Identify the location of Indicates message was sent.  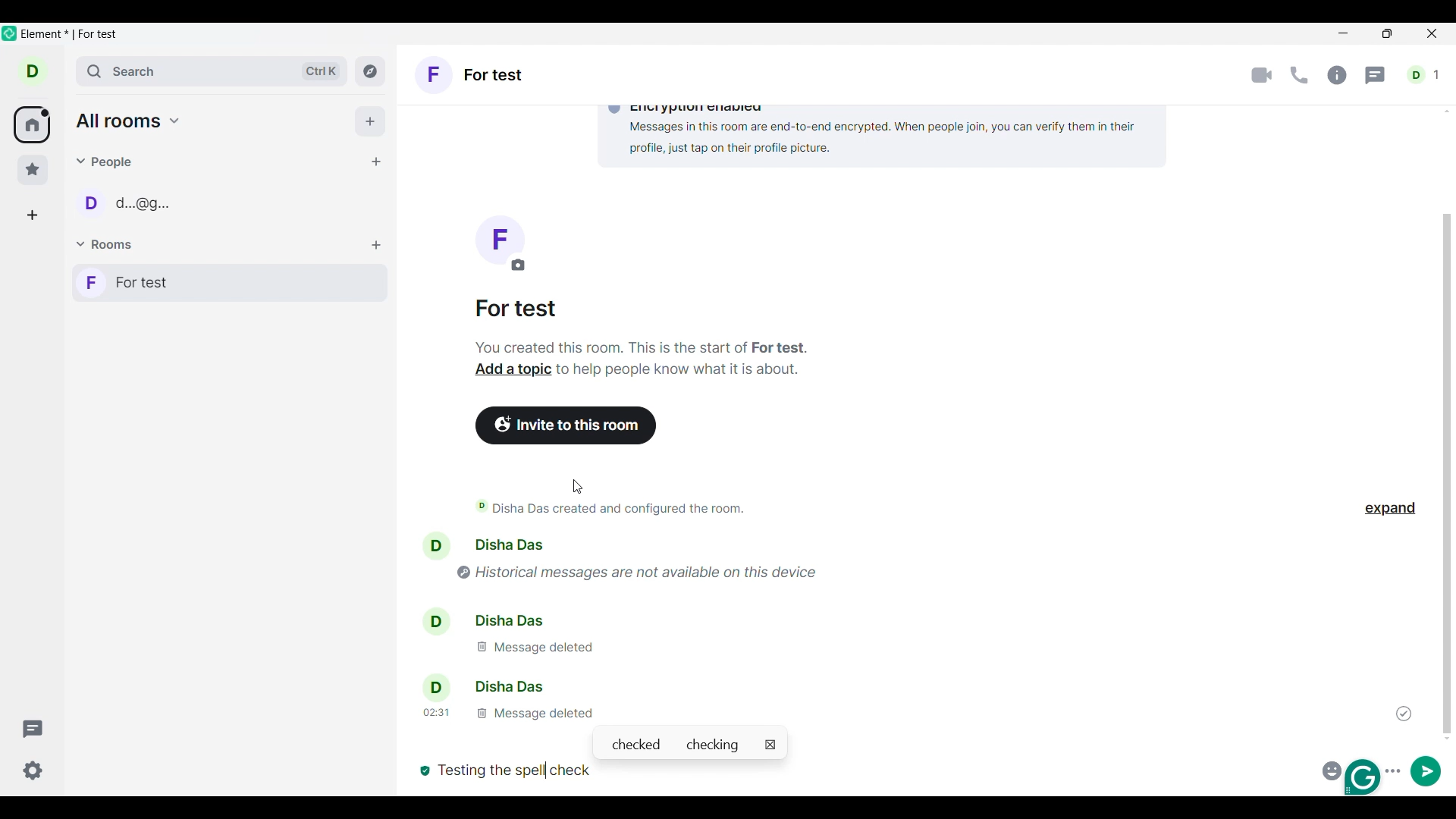
(1404, 714).